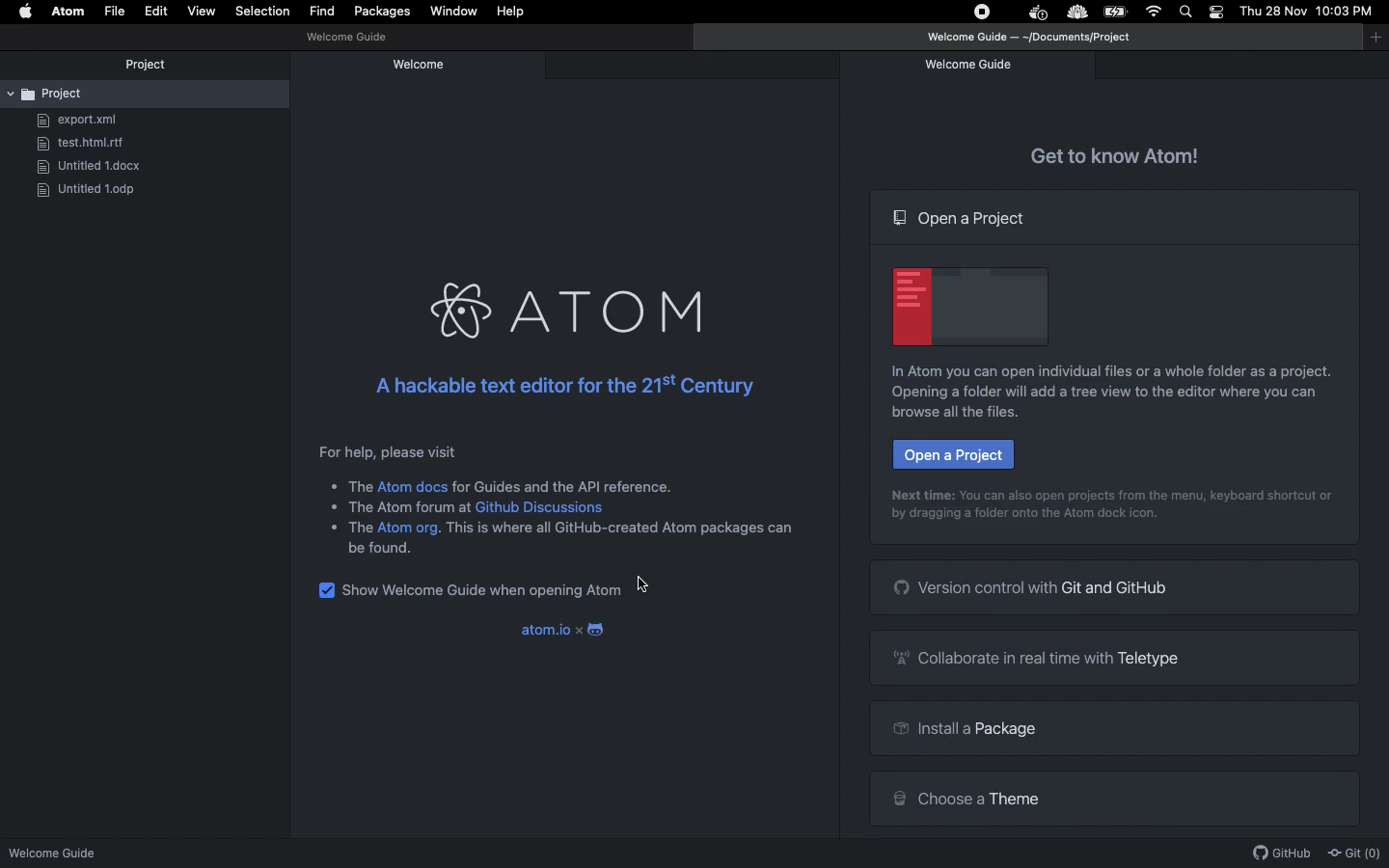 The height and width of the screenshot is (868, 1389). What do you see at coordinates (343, 39) in the screenshot?
I see `Welcome` at bounding box center [343, 39].